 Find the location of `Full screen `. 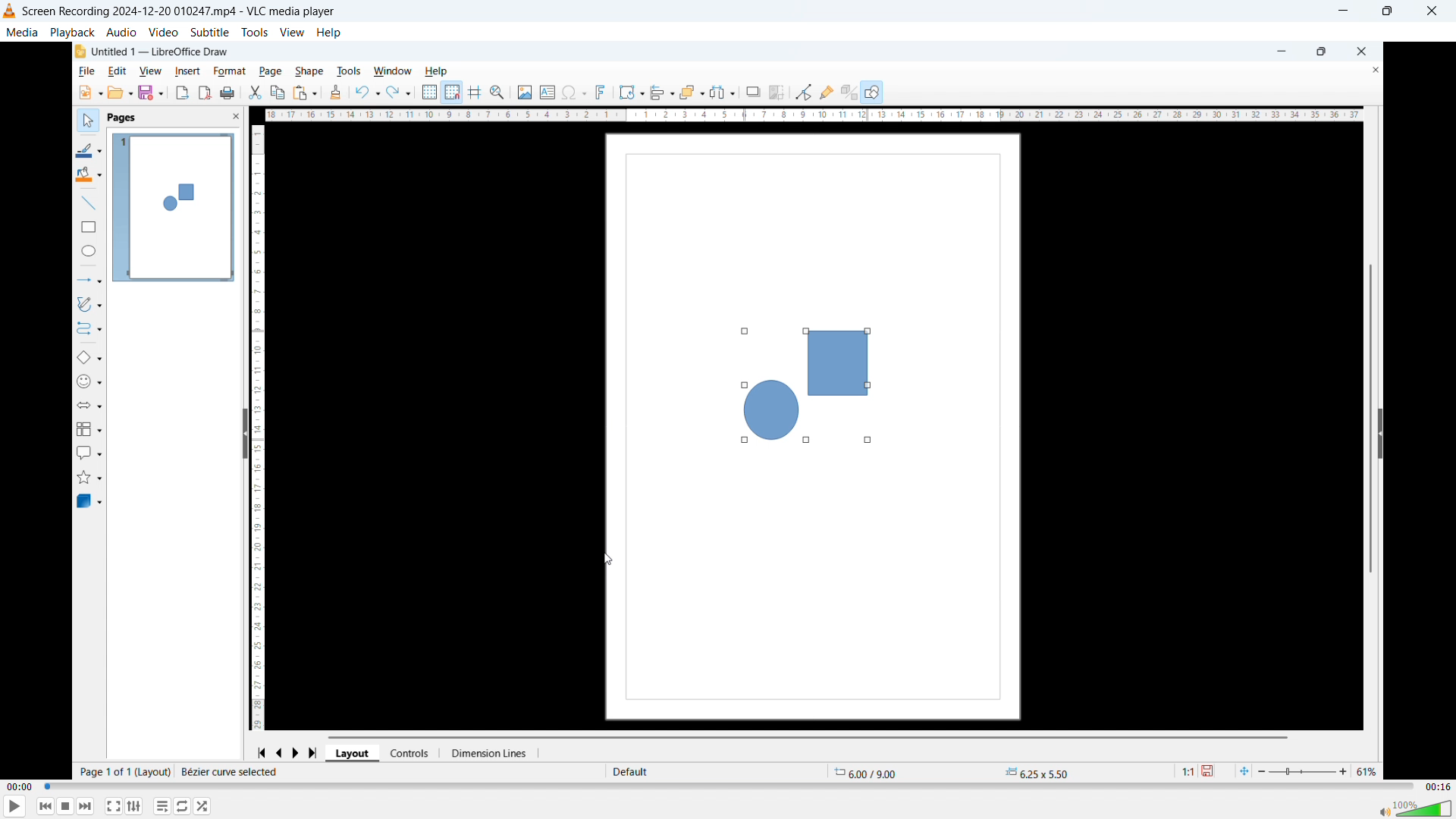

Full screen  is located at coordinates (114, 805).